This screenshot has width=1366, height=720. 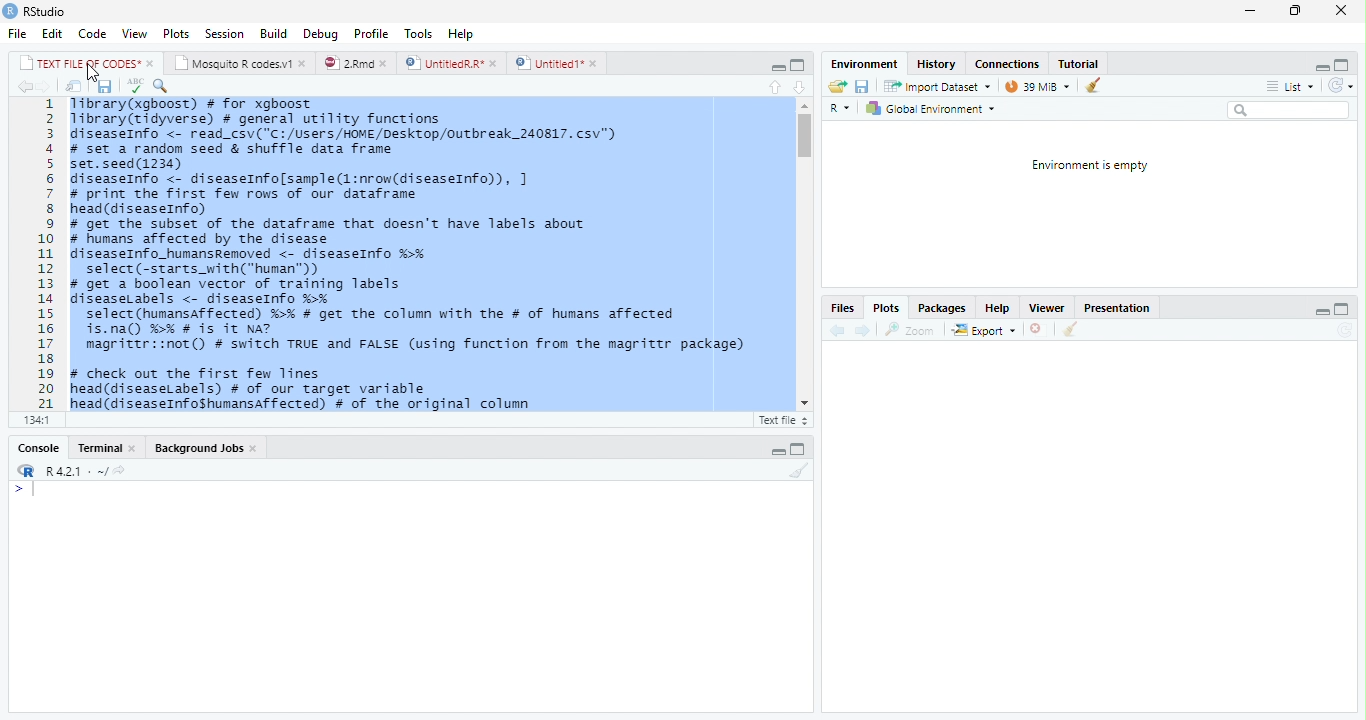 What do you see at coordinates (774, 65) in the screenshot?
I see `Minimize` at bounding box center [774, 65].